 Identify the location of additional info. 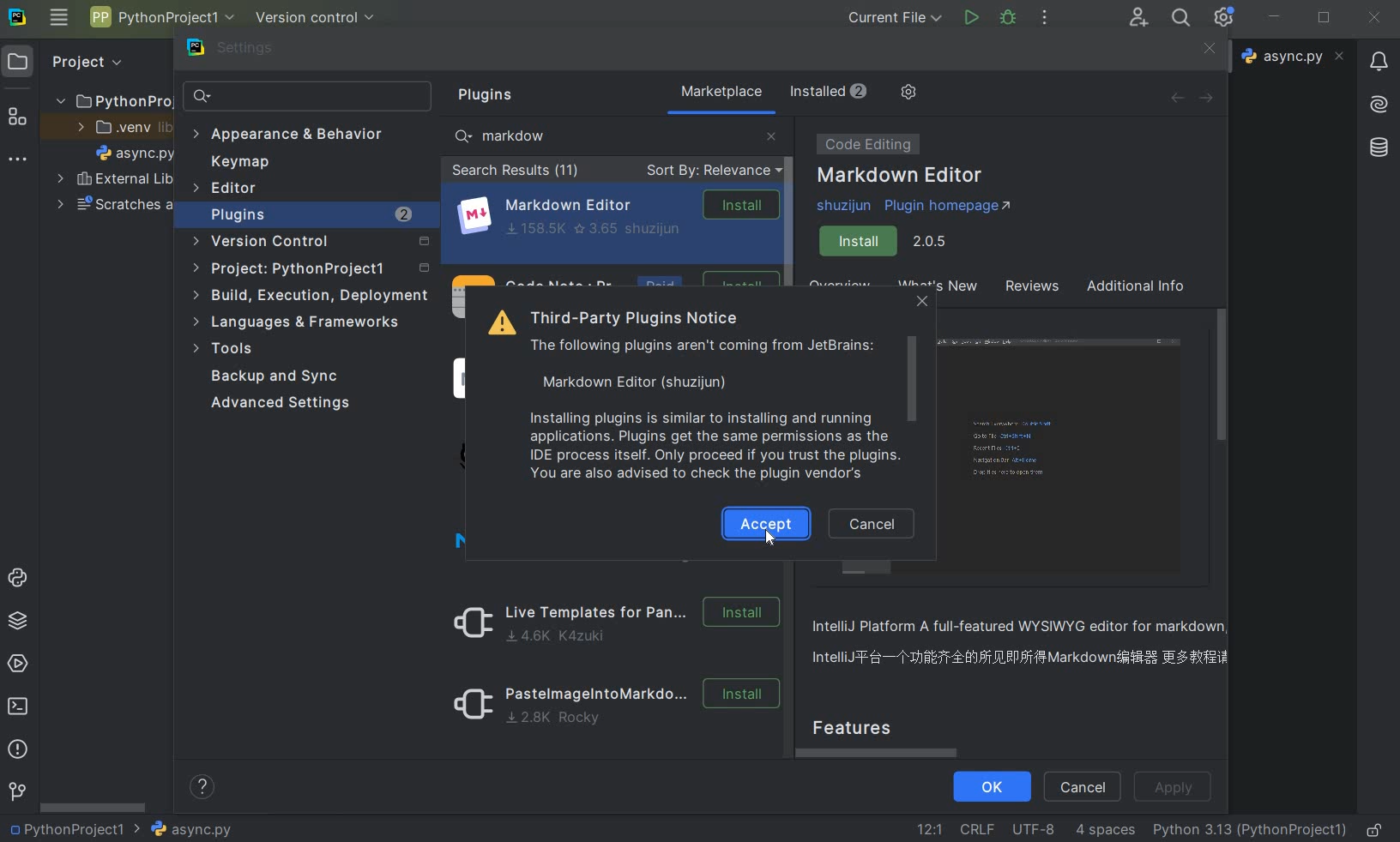
(1137, 288).